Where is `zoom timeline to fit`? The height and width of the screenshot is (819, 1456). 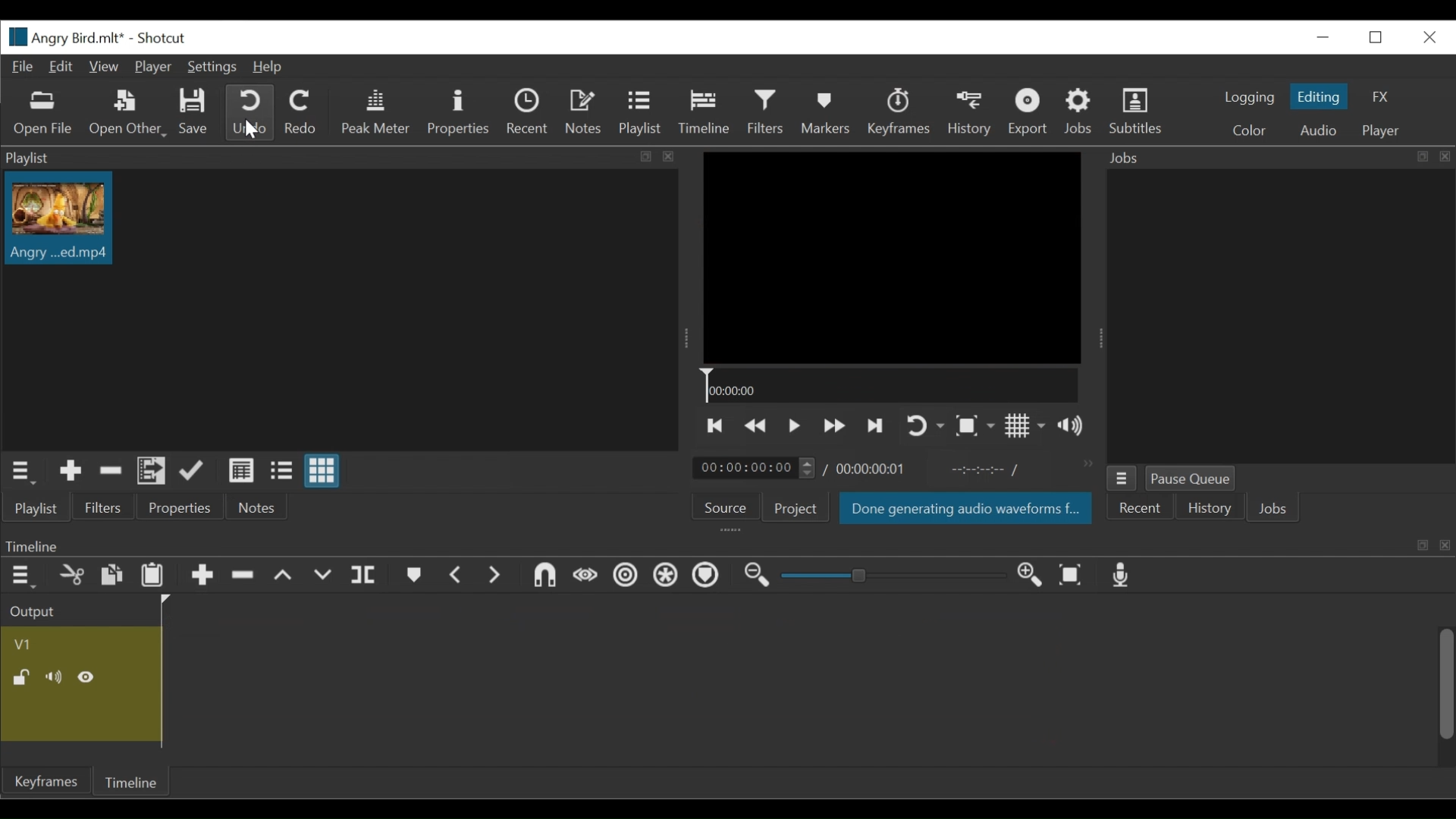
zoom timeline to fit is located at coordinates (1072, 575).